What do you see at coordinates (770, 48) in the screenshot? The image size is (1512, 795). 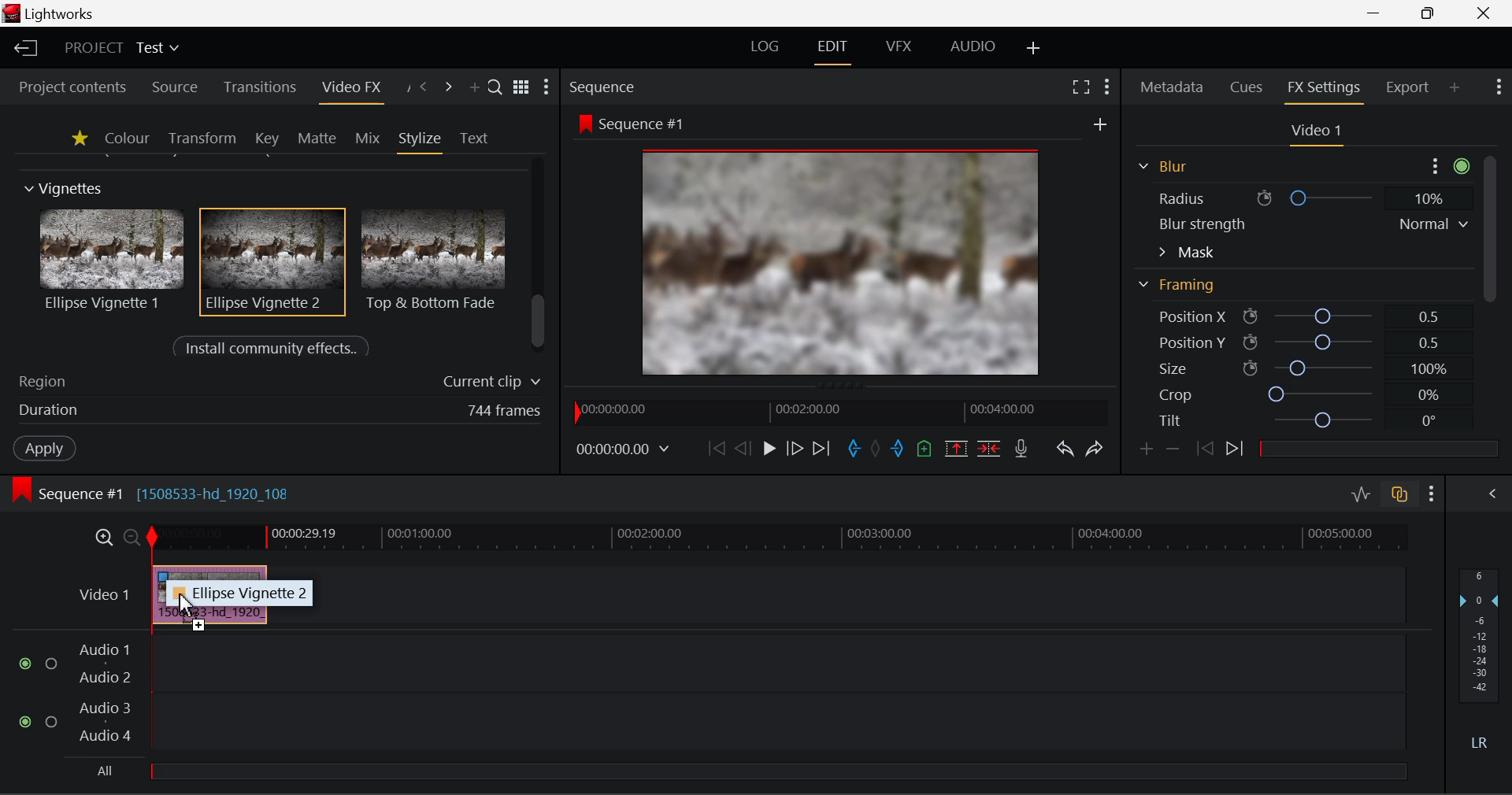 I see `LOG Layout` at bounding box center [770, 48].